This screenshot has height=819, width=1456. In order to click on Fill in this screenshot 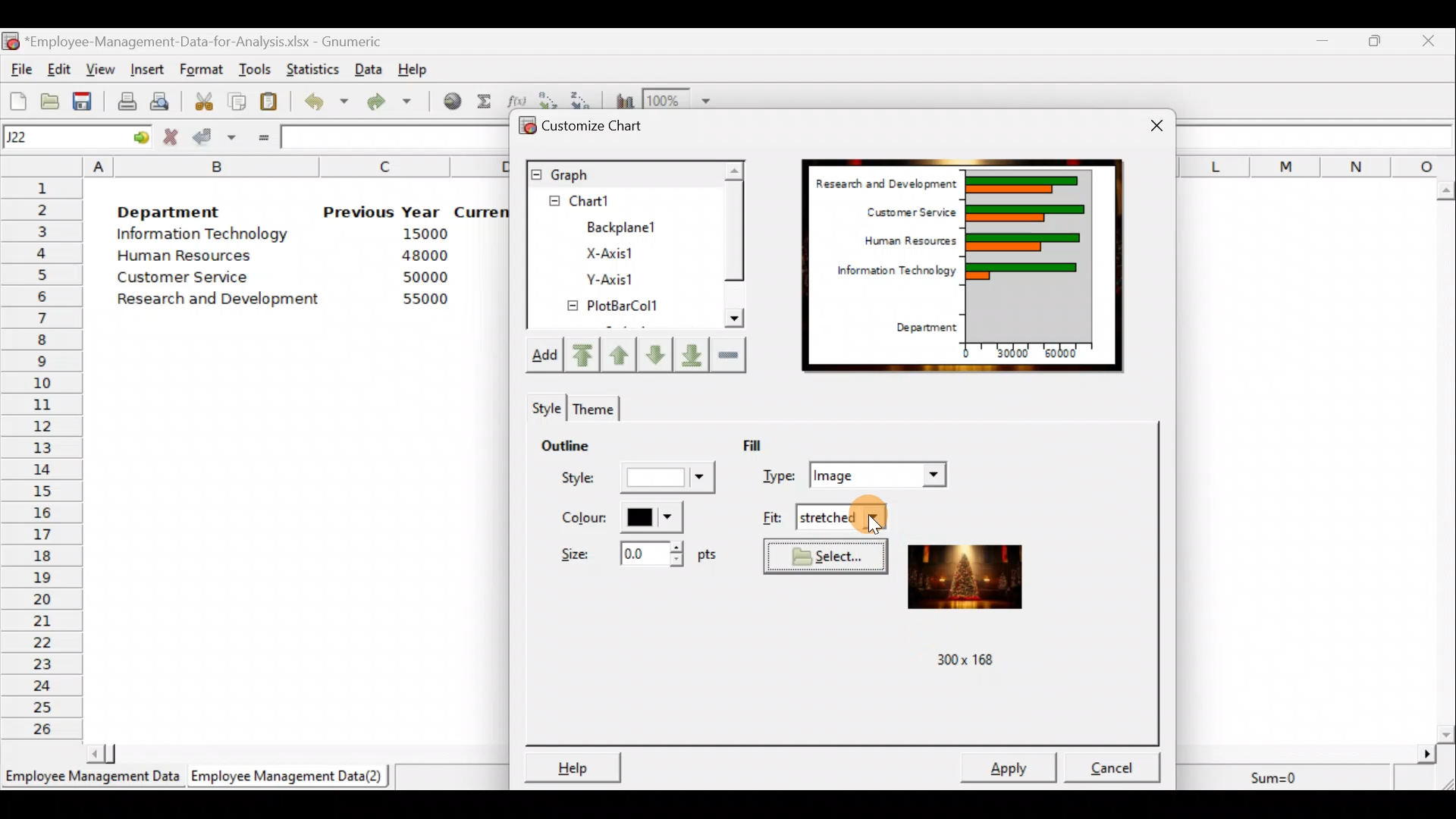, I will do `click(771, 444)`.